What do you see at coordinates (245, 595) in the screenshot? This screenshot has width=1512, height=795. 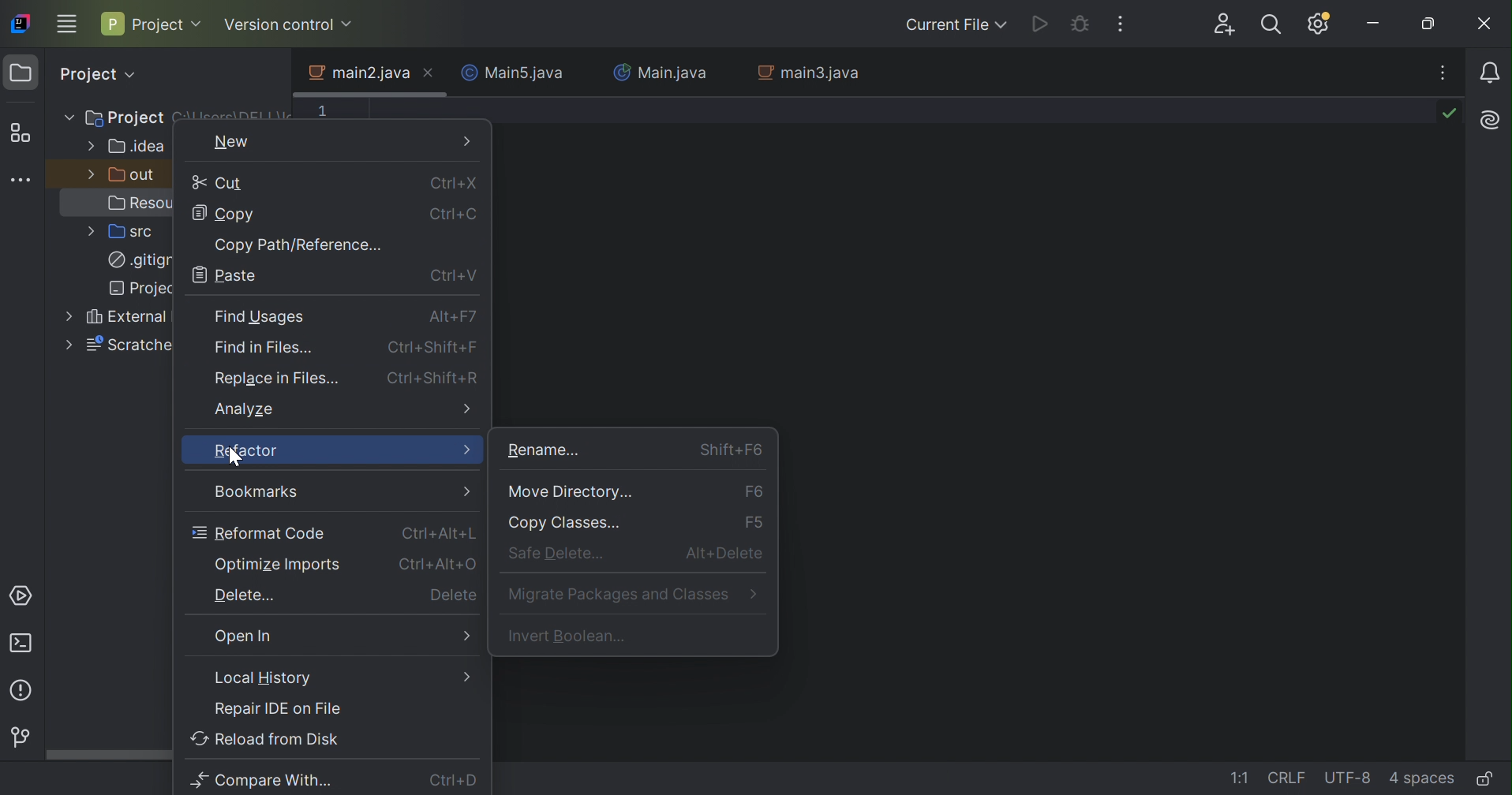 I see `Delete...` at bounding box center [245, 595].